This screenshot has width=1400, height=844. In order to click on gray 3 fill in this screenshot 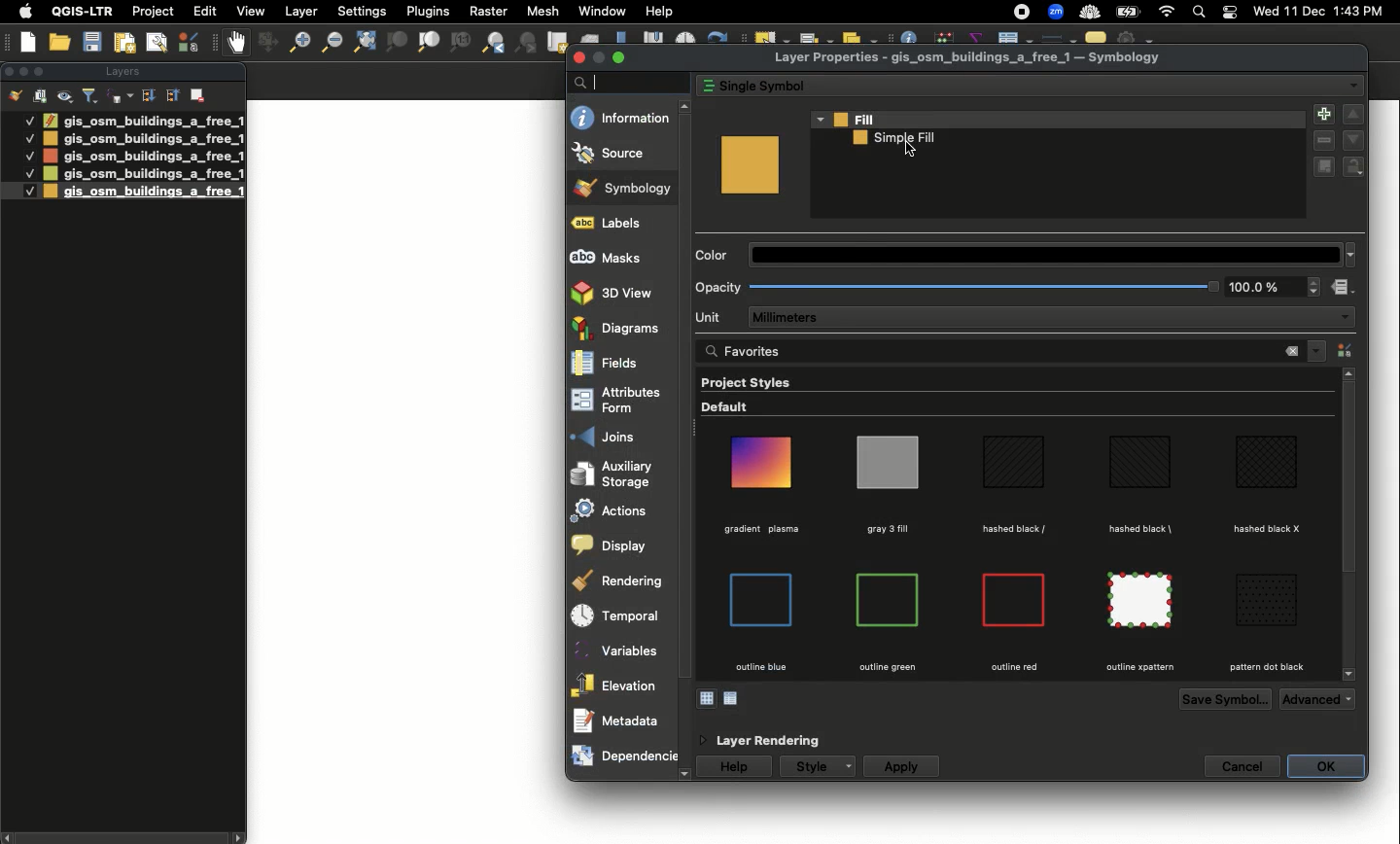, I will do `click(890, 530)`.